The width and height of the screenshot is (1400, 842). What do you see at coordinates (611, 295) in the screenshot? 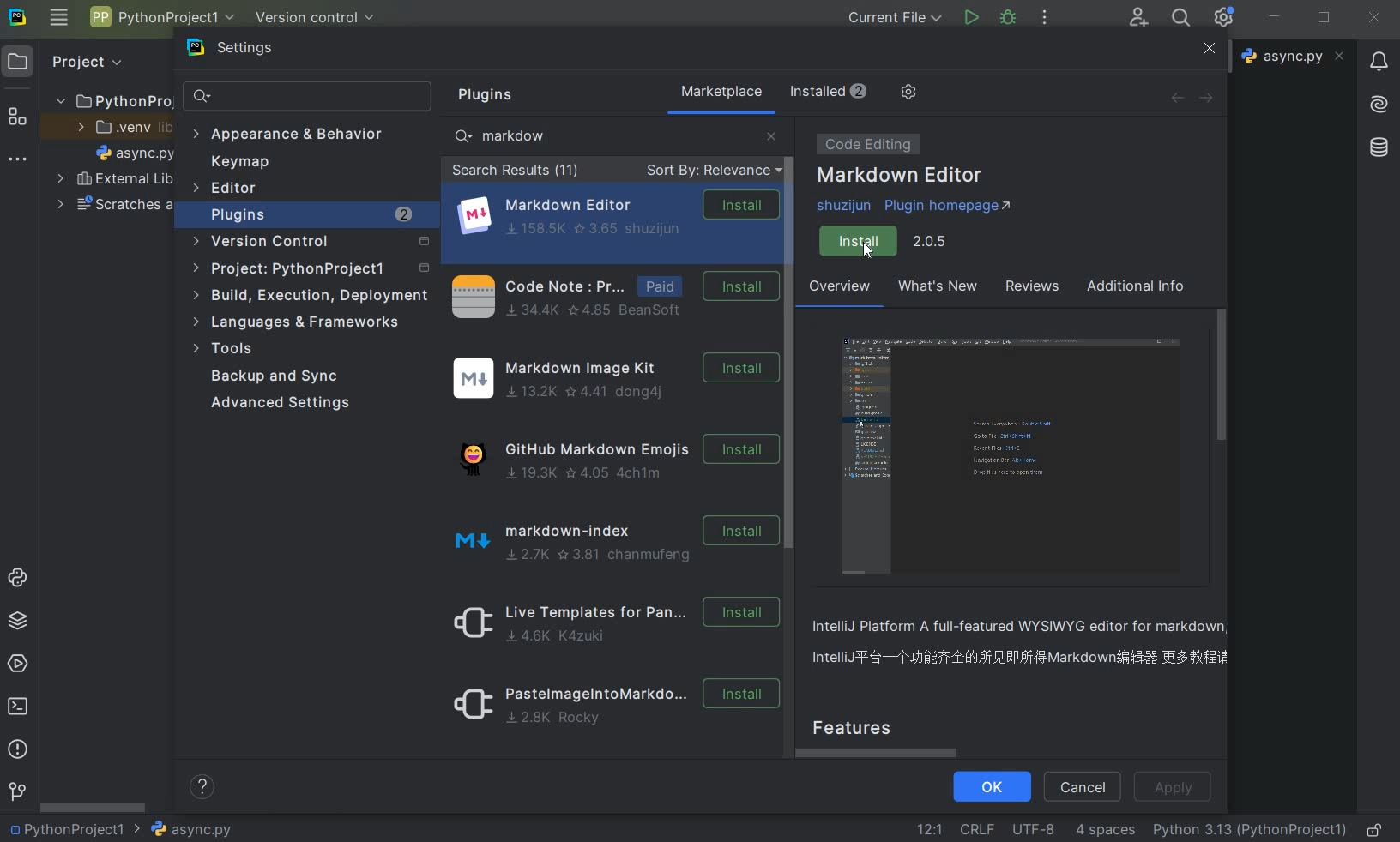
I see `code note` at bounding box center [611, 295].